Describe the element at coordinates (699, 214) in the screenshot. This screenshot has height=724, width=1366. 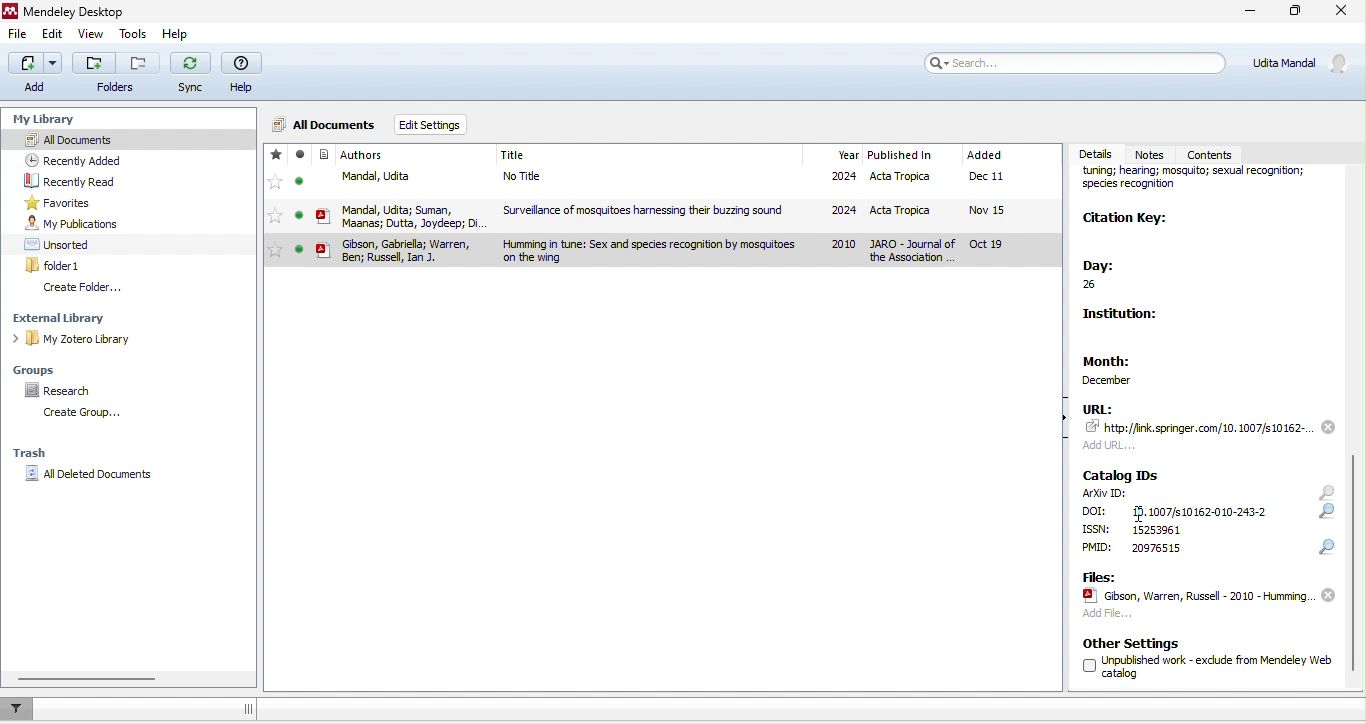
I see `file` at that location.